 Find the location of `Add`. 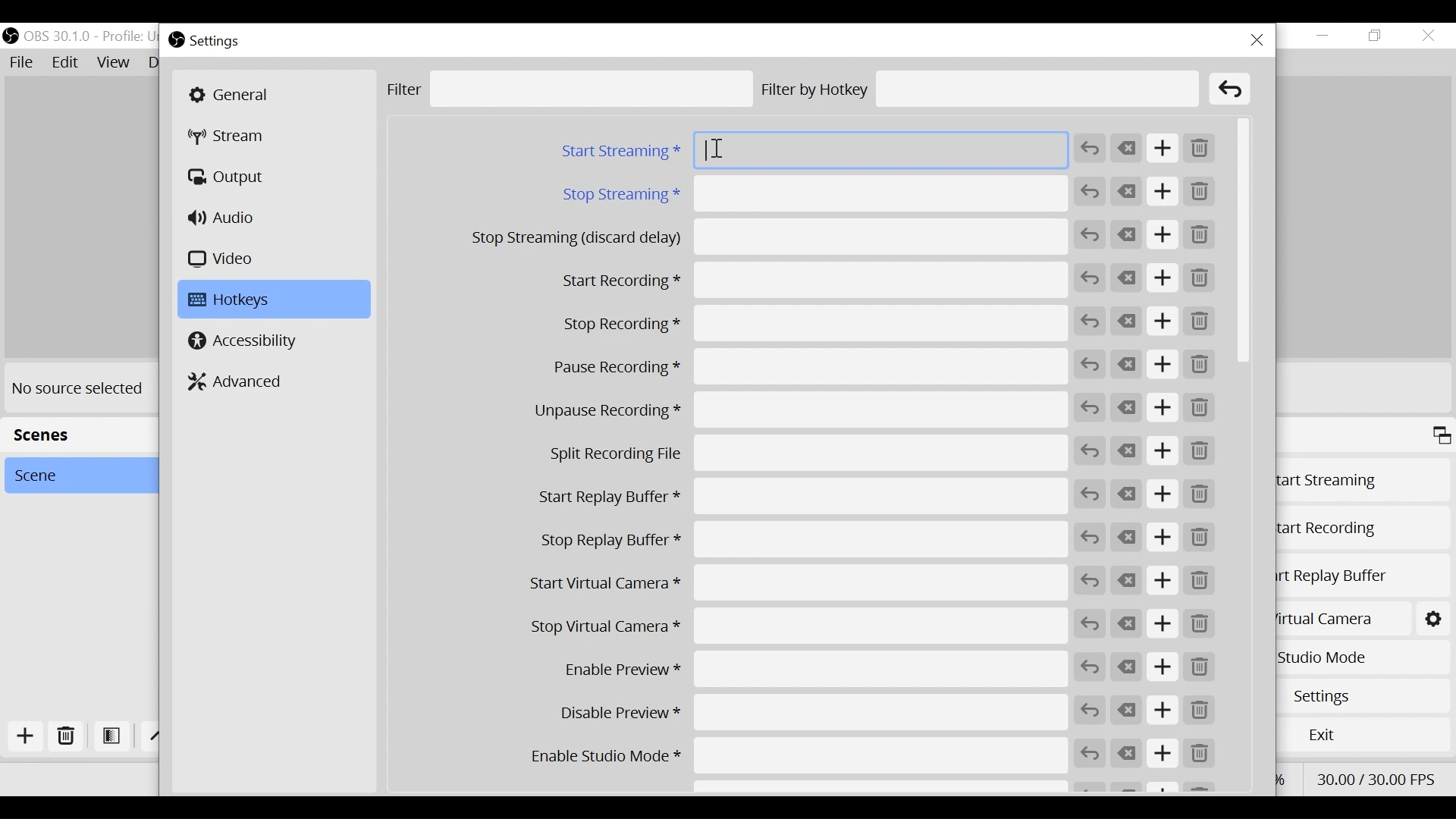

Add is located at coordinates (1164, 193).